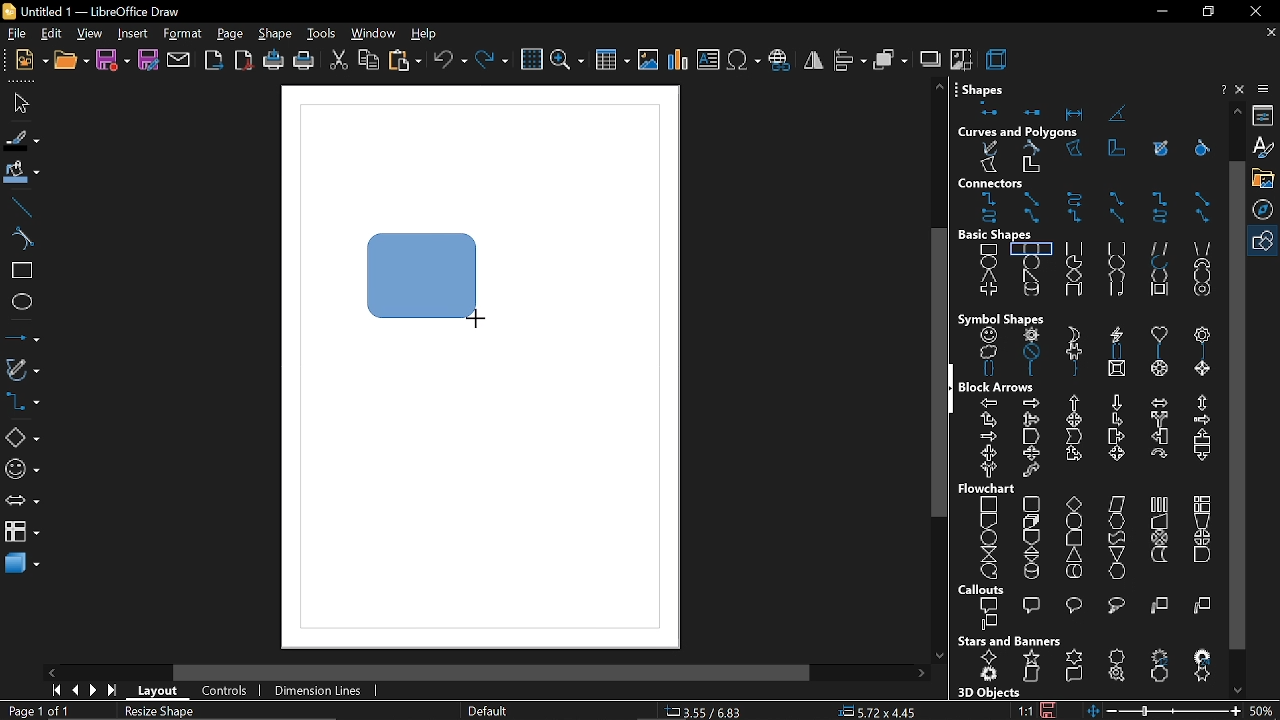 Image resolution: width=1280 pixels, height=720 pixels. I want to click on insert table, so click(613, 63).